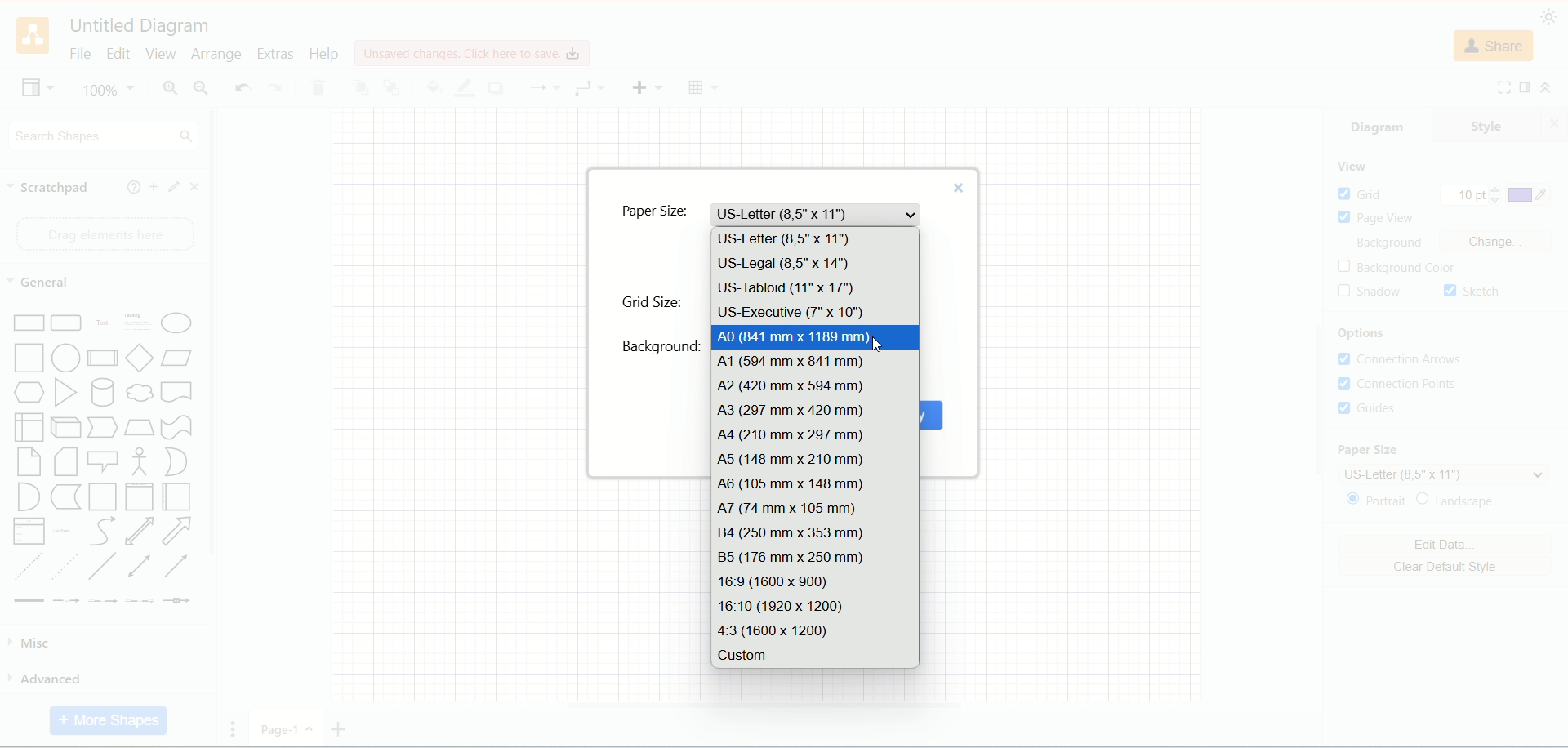 This screenshot has width=1568, height=748. Describe the element at coordinates (1471, 196) in the screenshot. I see `10 pt` at that location.